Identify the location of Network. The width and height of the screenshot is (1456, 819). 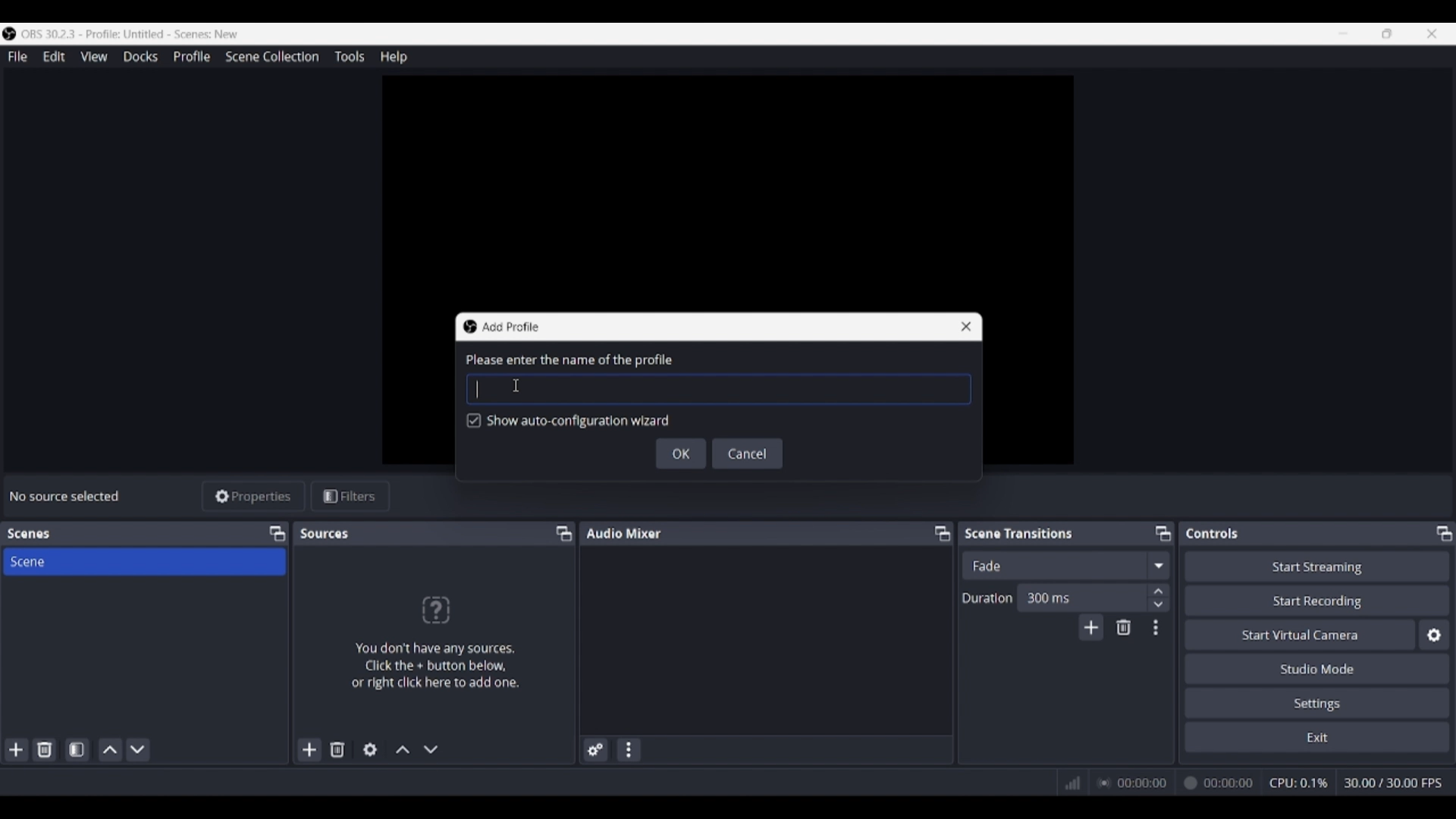
(1067, 781).